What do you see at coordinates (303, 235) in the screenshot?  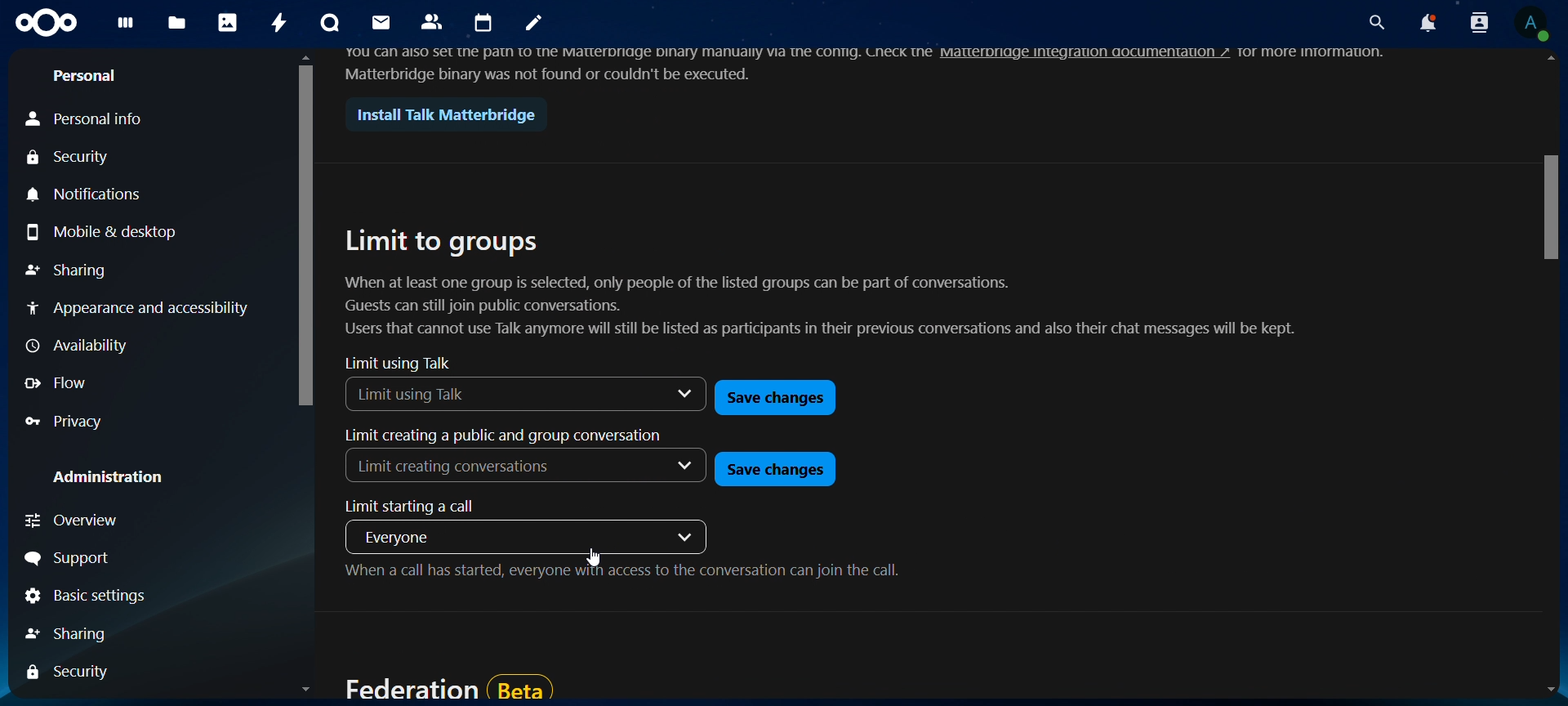 I see `vertical scroll bar` at bounding box center [303, 235].